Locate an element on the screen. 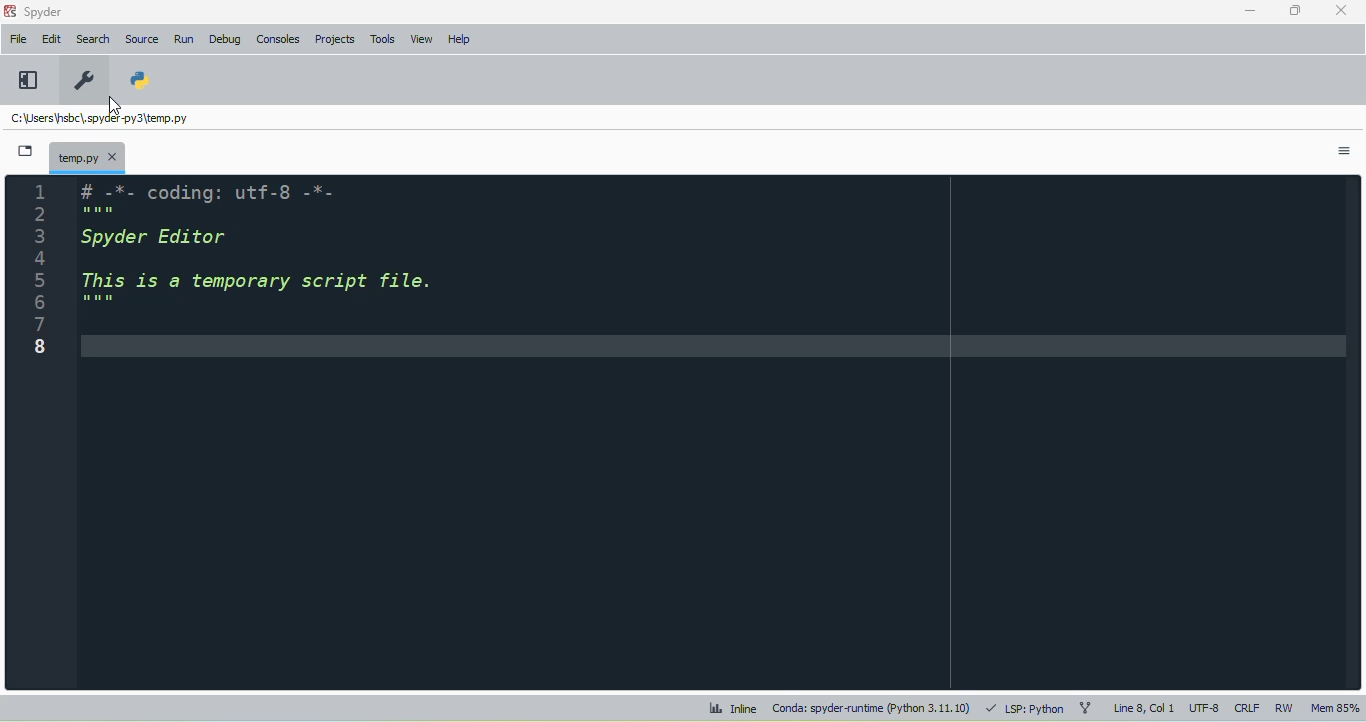 The height and width of the screenshot is (722, 1366). view is located at coordinates (423, 39).